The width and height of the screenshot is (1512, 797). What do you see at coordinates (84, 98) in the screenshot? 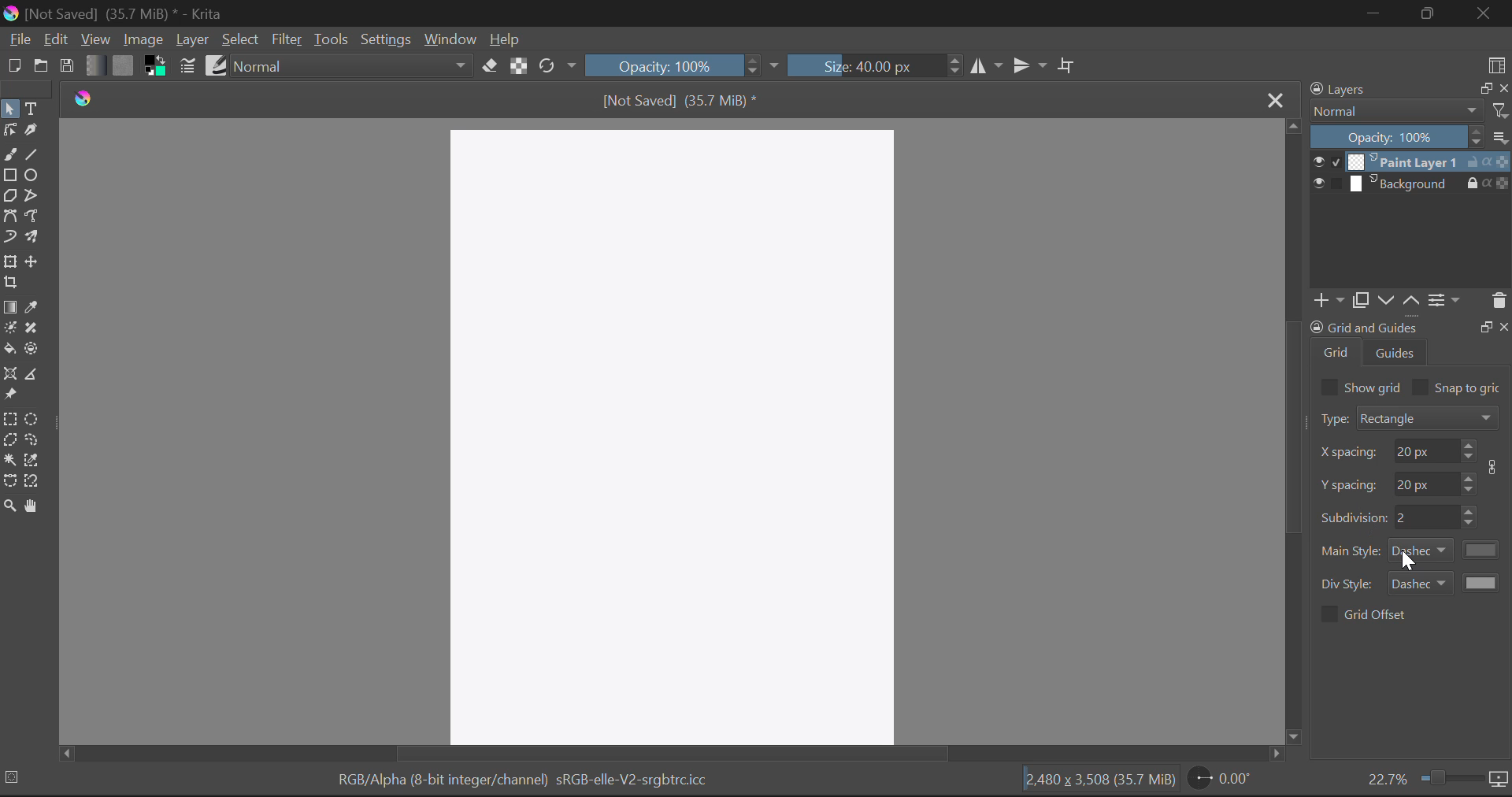
I see `Krita Logo` at bounding box center [84, 98].